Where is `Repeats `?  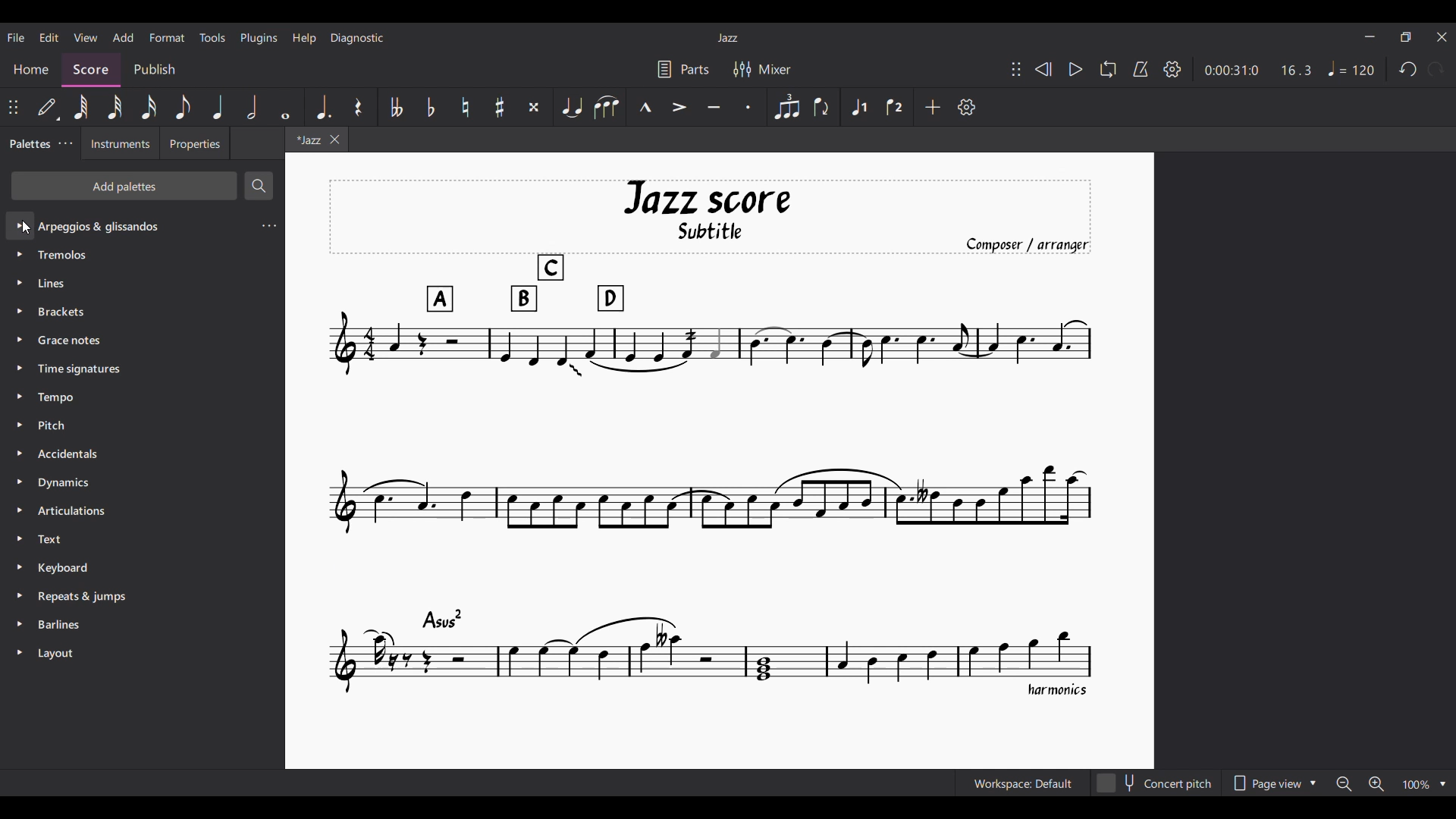 Repeats  is located at coordinates (79, 595).